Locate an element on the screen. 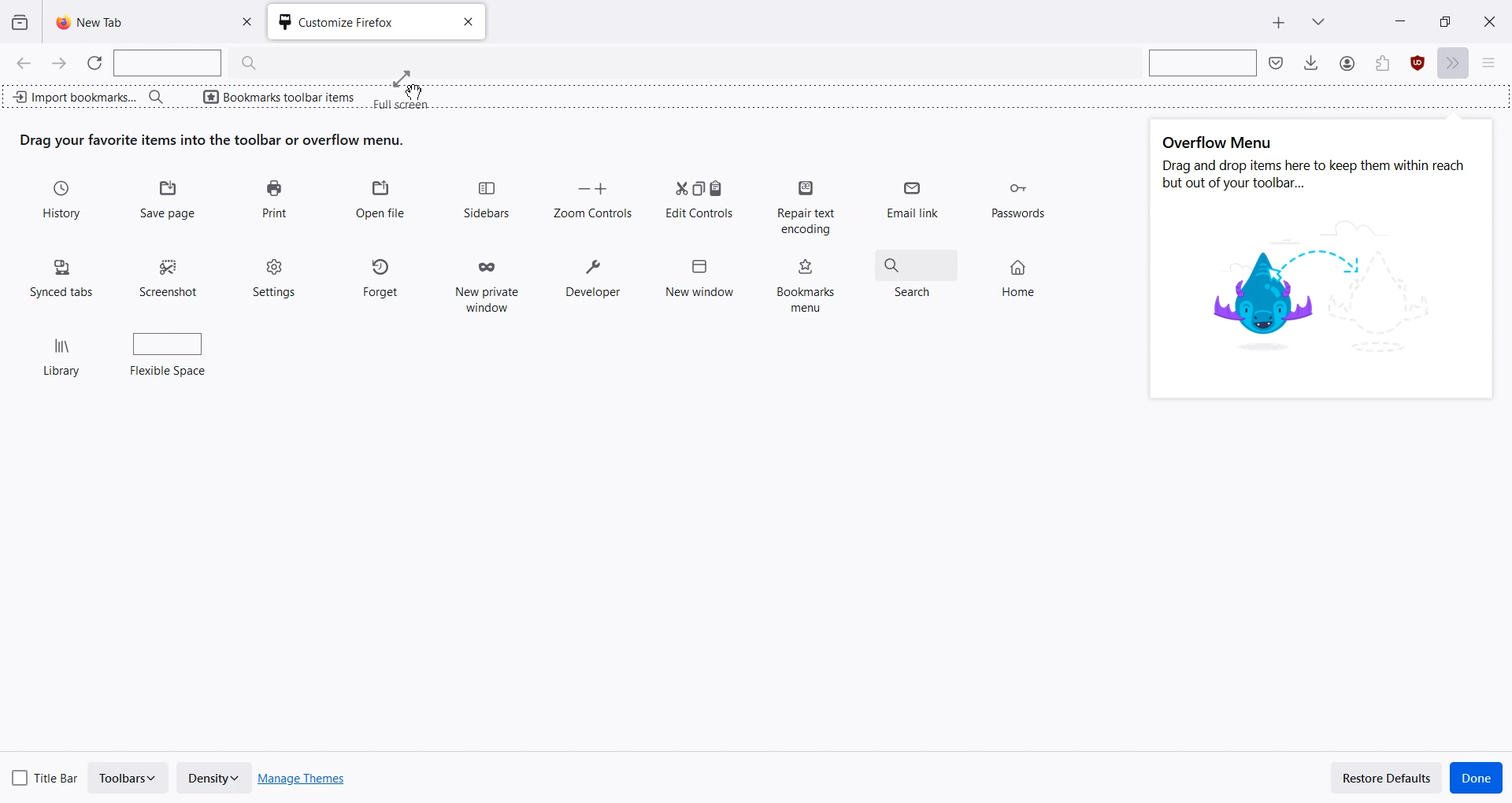 The image size is (1512, 803). Open file is located at coordinates (380, 200).